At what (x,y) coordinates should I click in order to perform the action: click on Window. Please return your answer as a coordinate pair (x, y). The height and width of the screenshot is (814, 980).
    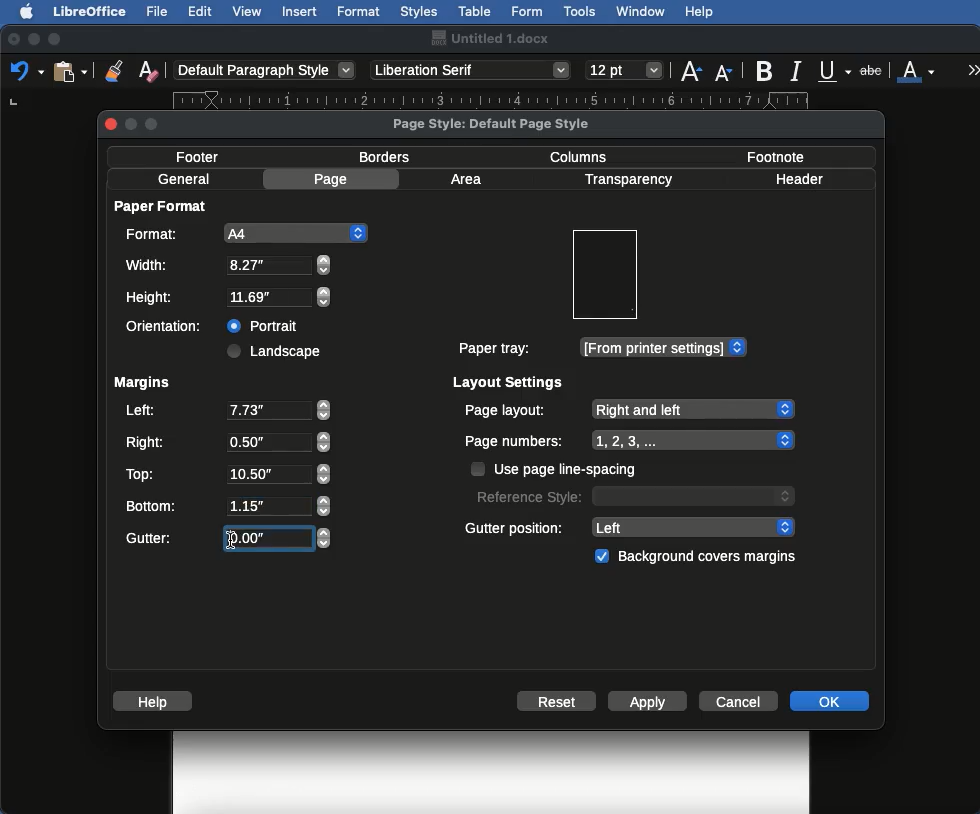
    Looking at the image, I should click on (641, 12).